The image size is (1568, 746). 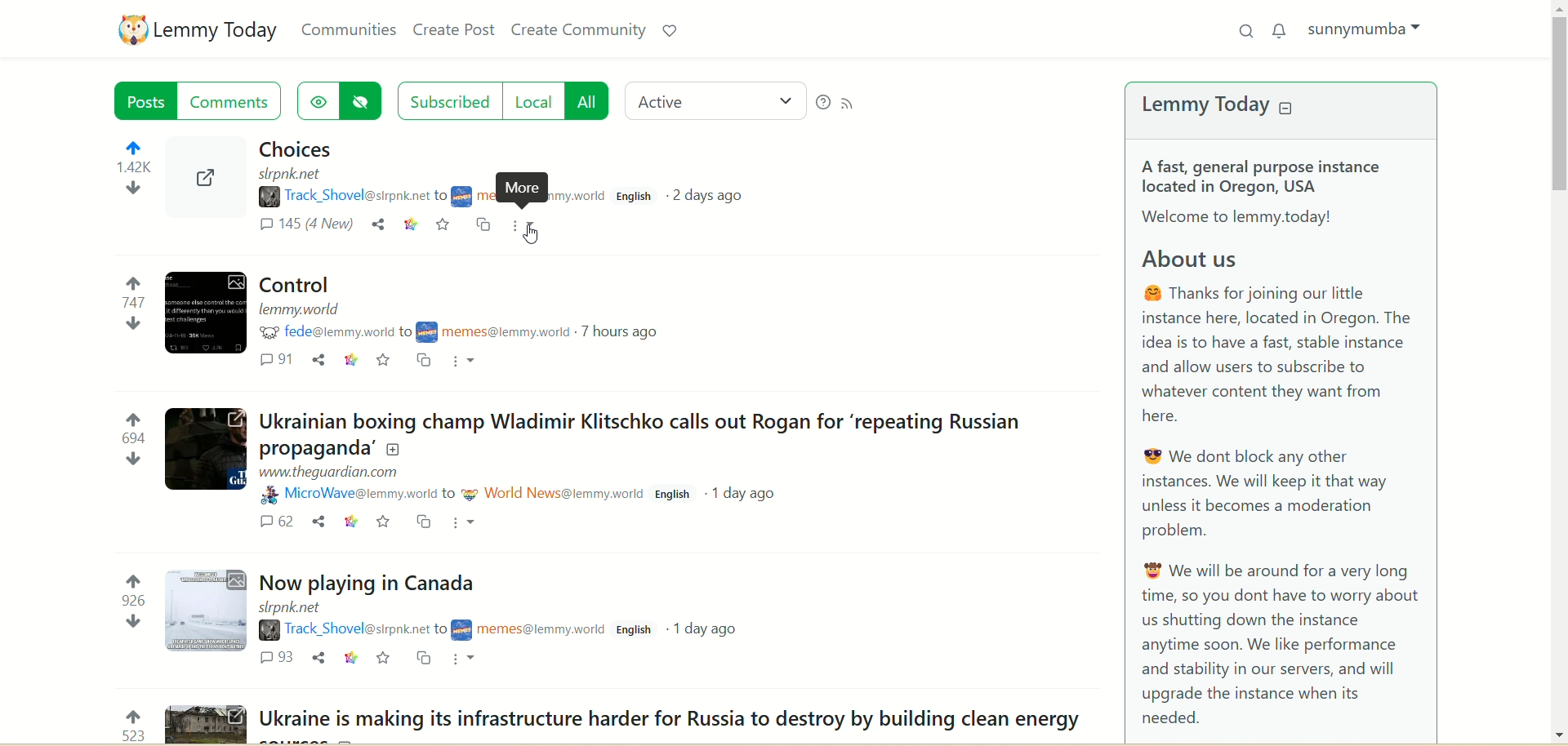 I want to click on votes up and down, so click(x=121, y=179).